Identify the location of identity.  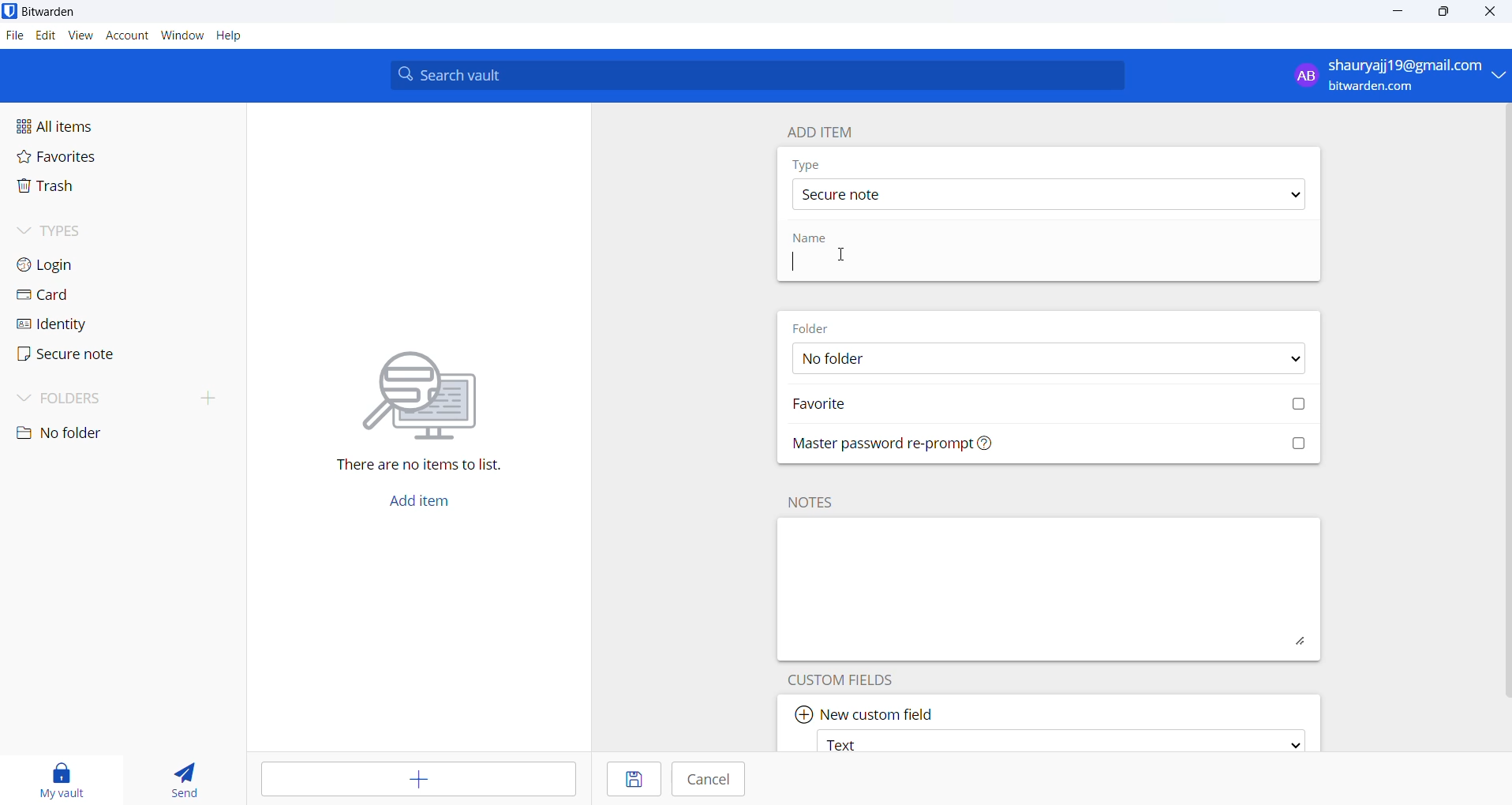
(85, 324).